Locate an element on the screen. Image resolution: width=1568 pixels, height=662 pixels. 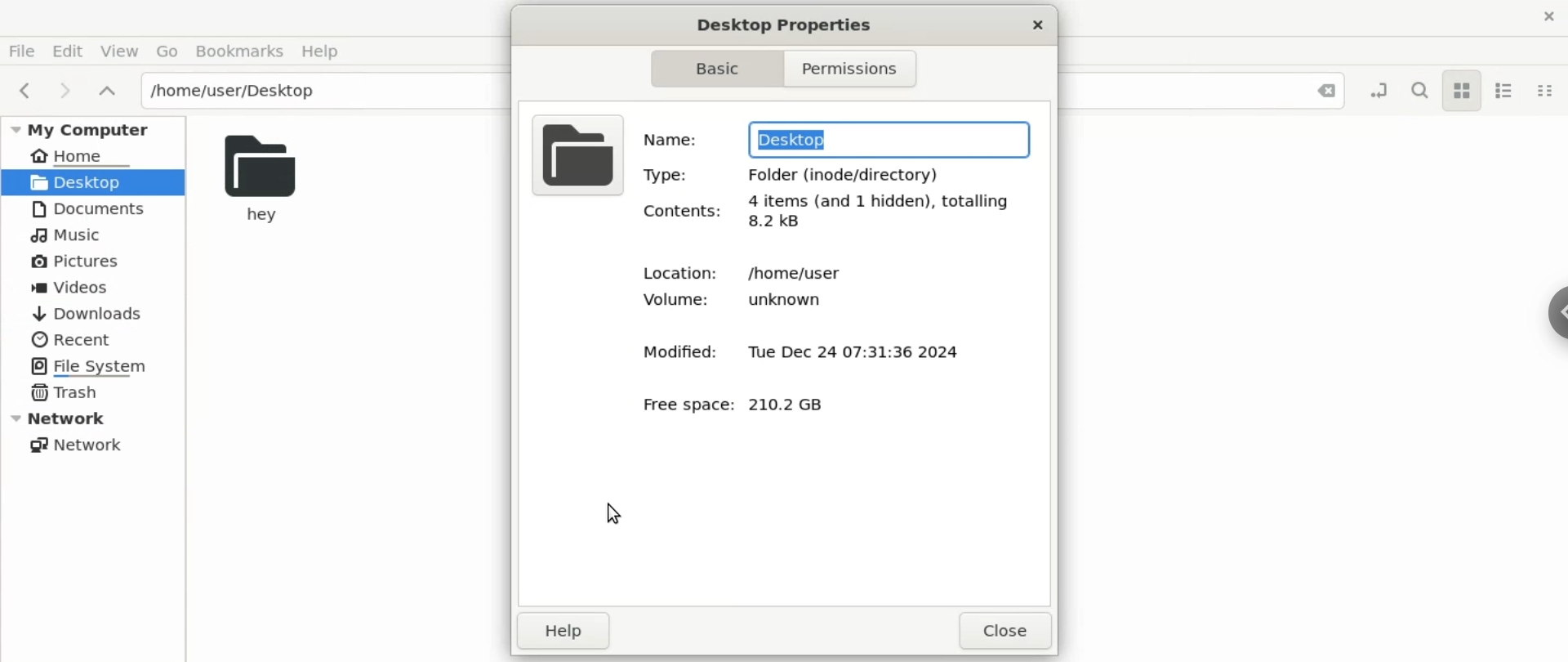
help is located at coordinates (561, 633).